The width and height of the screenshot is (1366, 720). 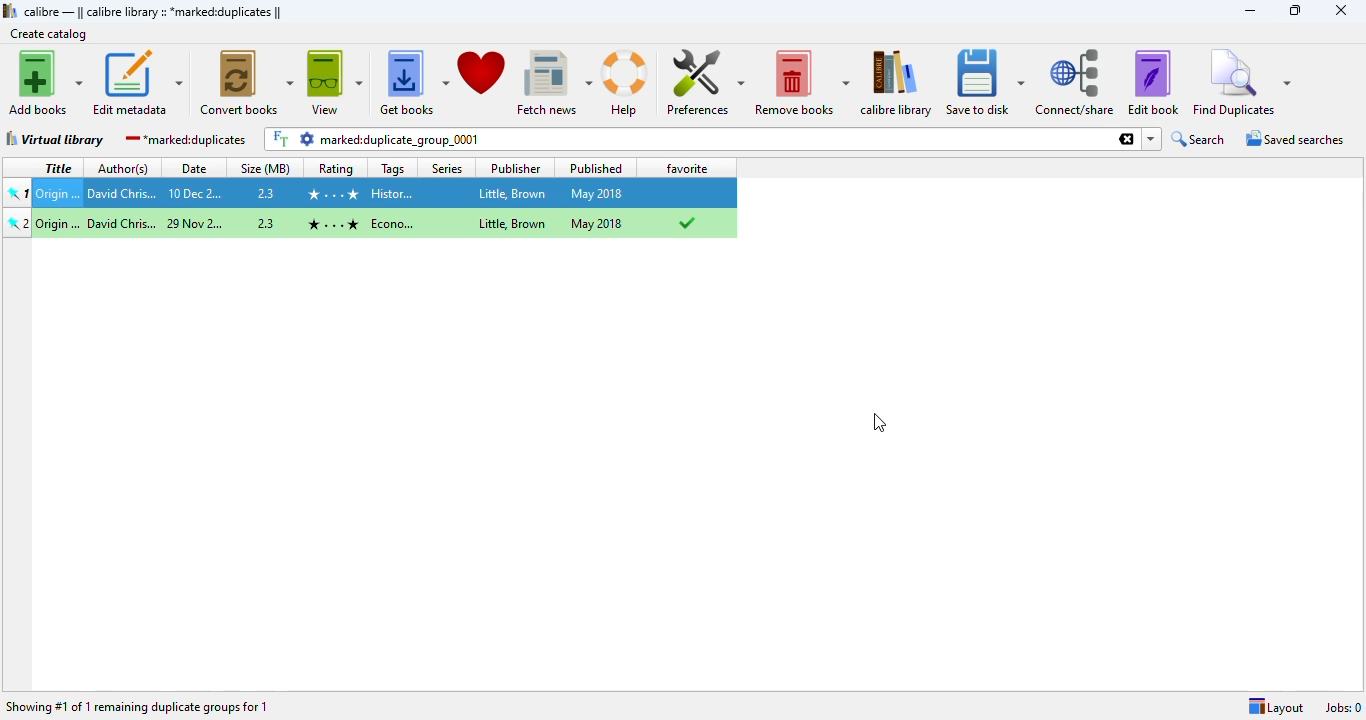 What do you see at coordinates (690, 167) in the screenshot?
I see `favorite` at bounding box center [690, 167].